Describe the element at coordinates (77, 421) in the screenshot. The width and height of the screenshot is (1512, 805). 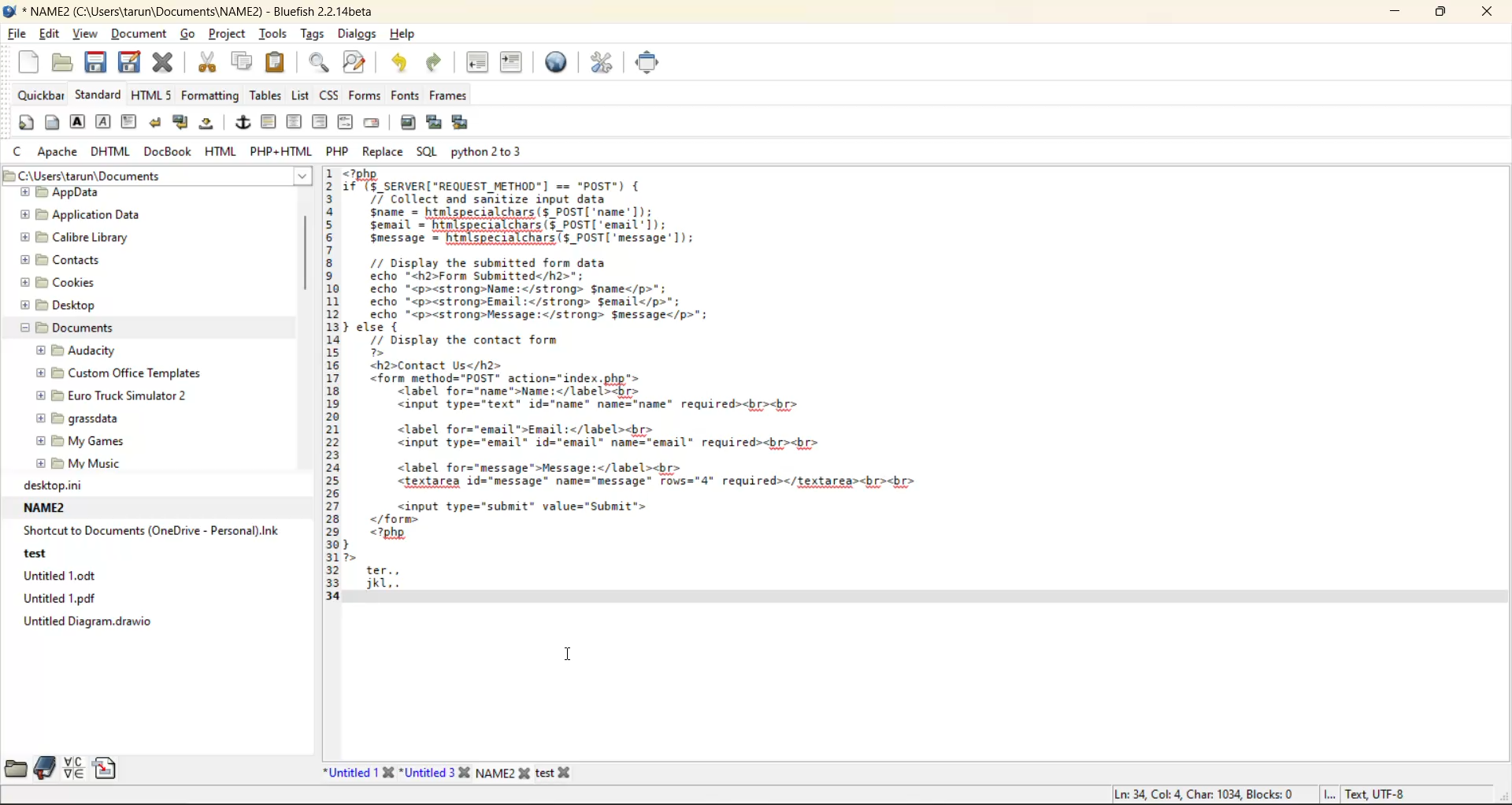
I see `grassdata` at that location.